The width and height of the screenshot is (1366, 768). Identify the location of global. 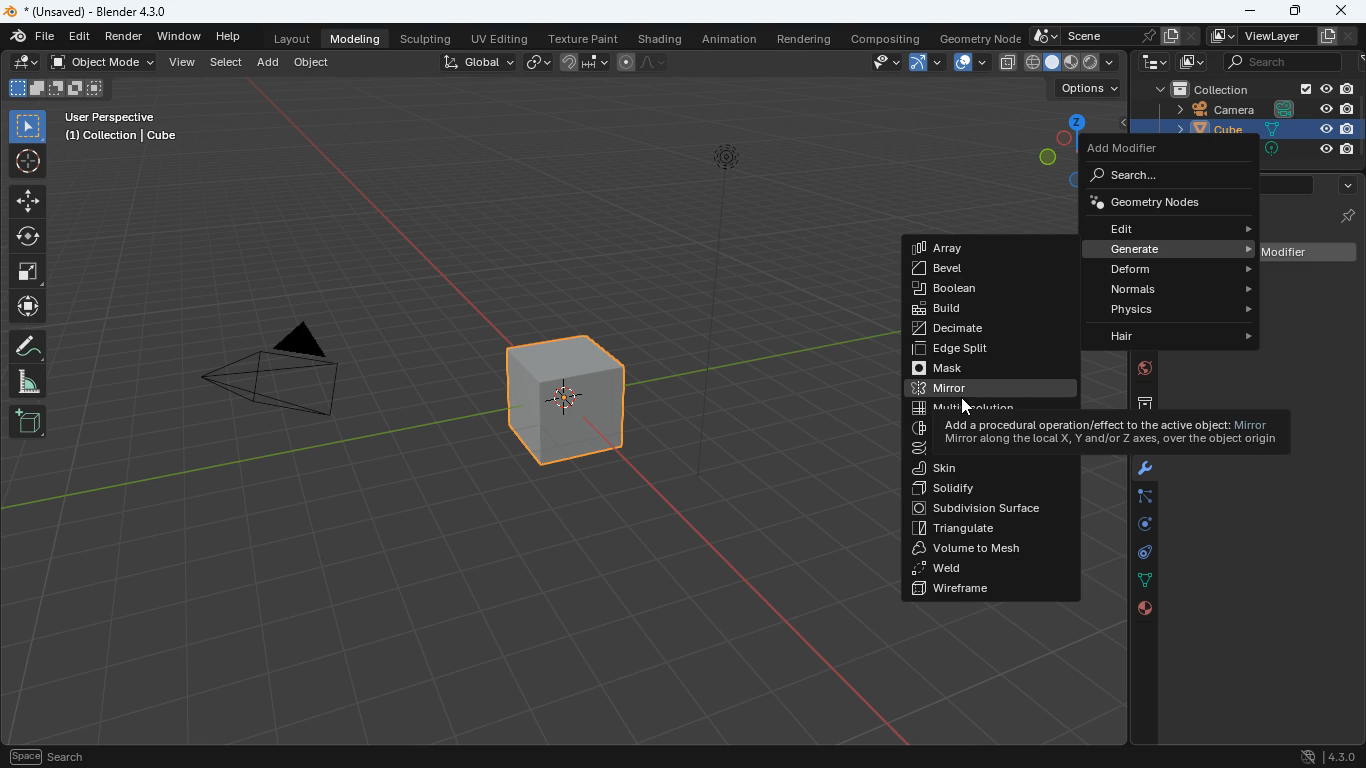
(480, 62).